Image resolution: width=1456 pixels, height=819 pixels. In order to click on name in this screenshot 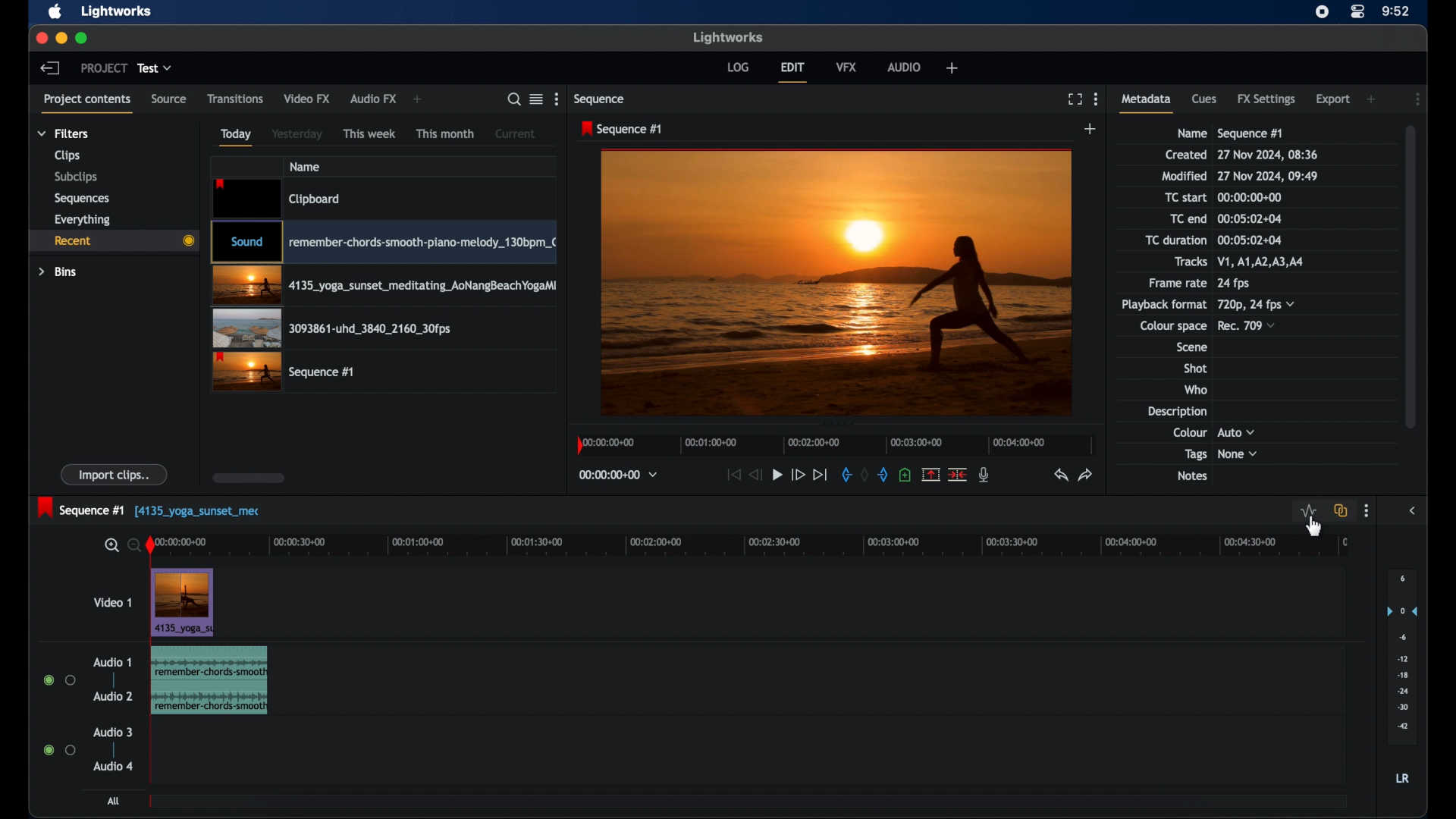, I will do `click(304, 167)`.